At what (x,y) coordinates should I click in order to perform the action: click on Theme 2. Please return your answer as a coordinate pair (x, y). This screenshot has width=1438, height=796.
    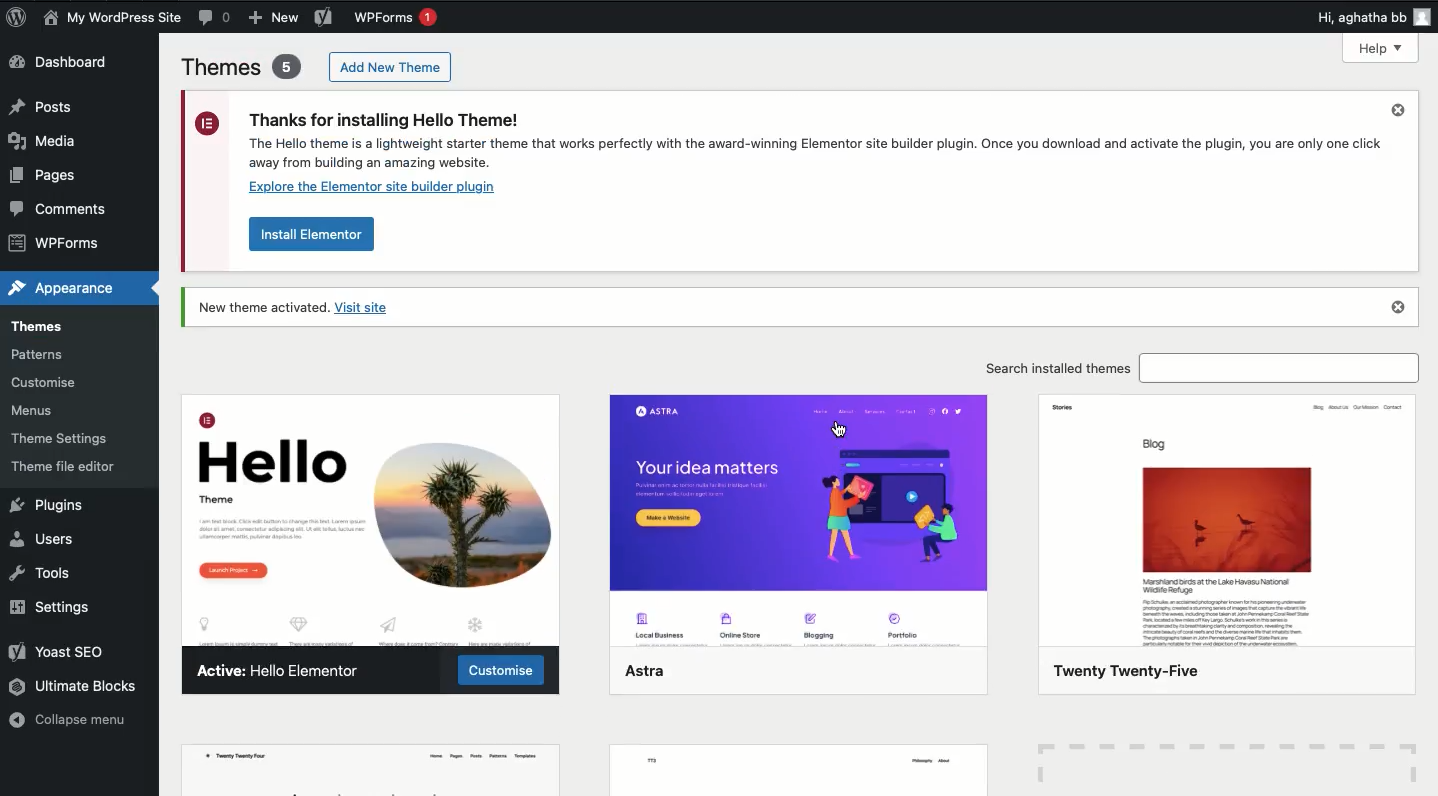
    Looking at the image, I should click on (801, 559).